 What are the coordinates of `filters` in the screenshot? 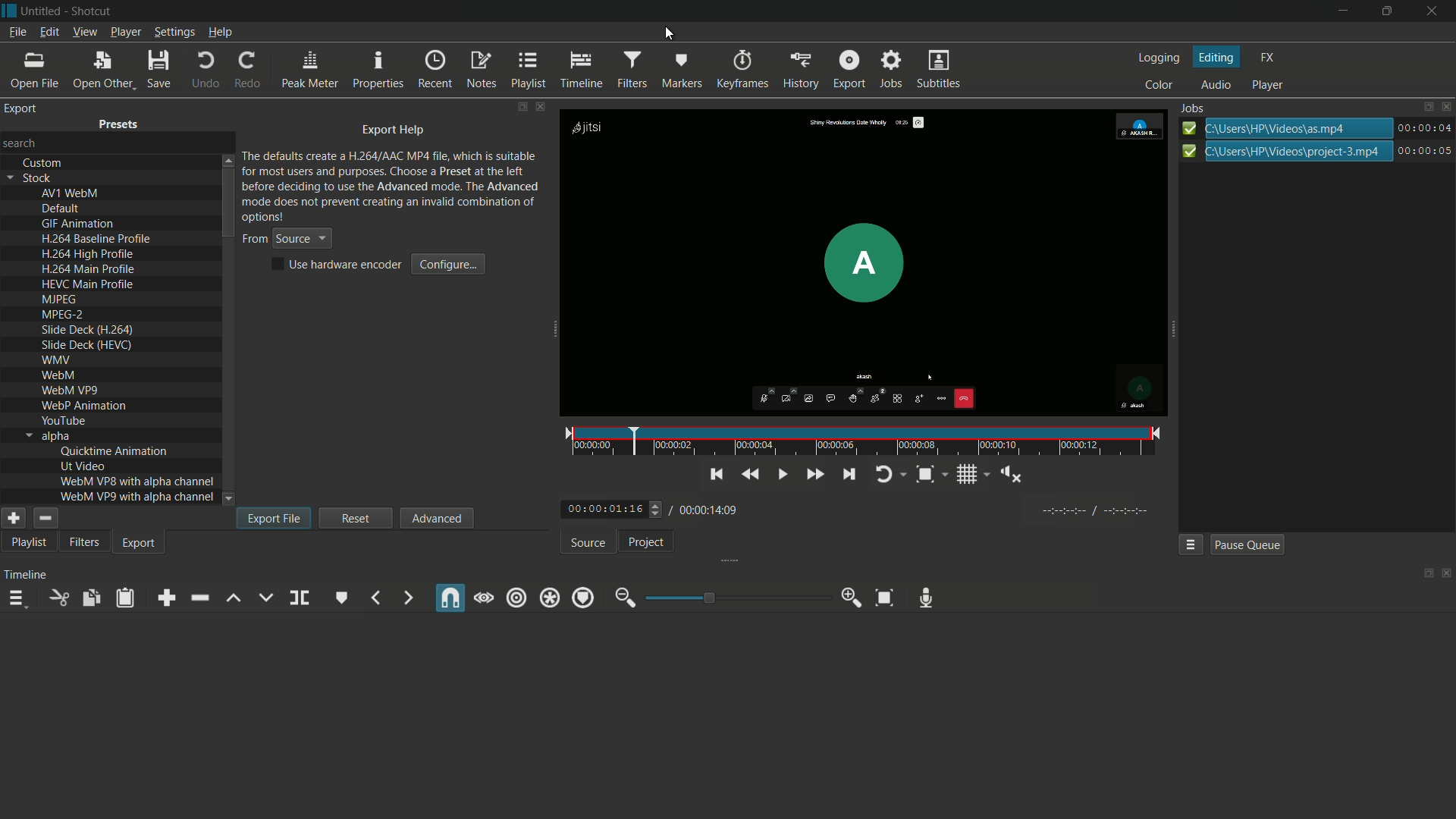 It's located at (630, 71).